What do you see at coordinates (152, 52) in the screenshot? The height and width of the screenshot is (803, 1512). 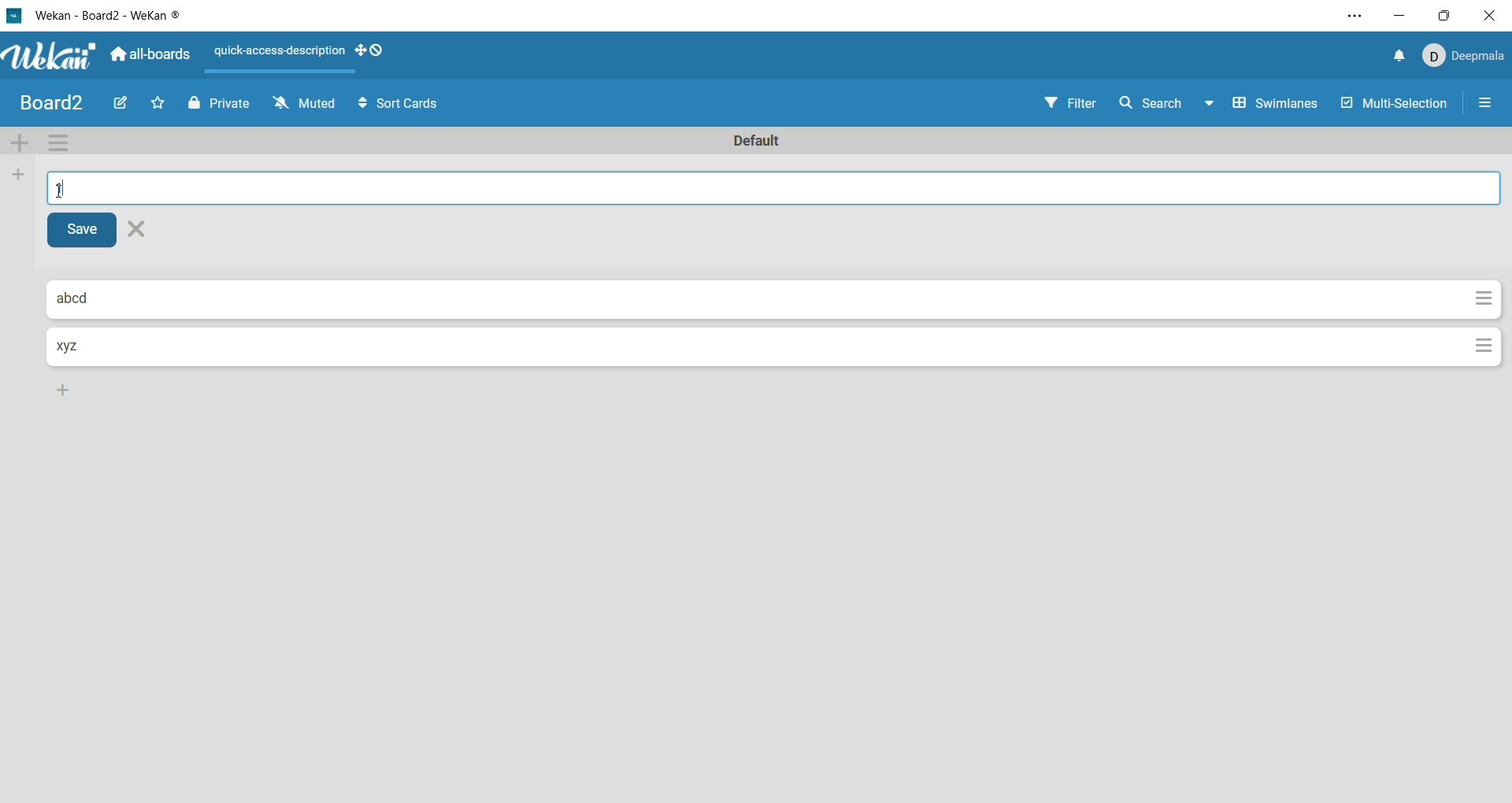 I see `all boards` at bounding box center [152, 52].